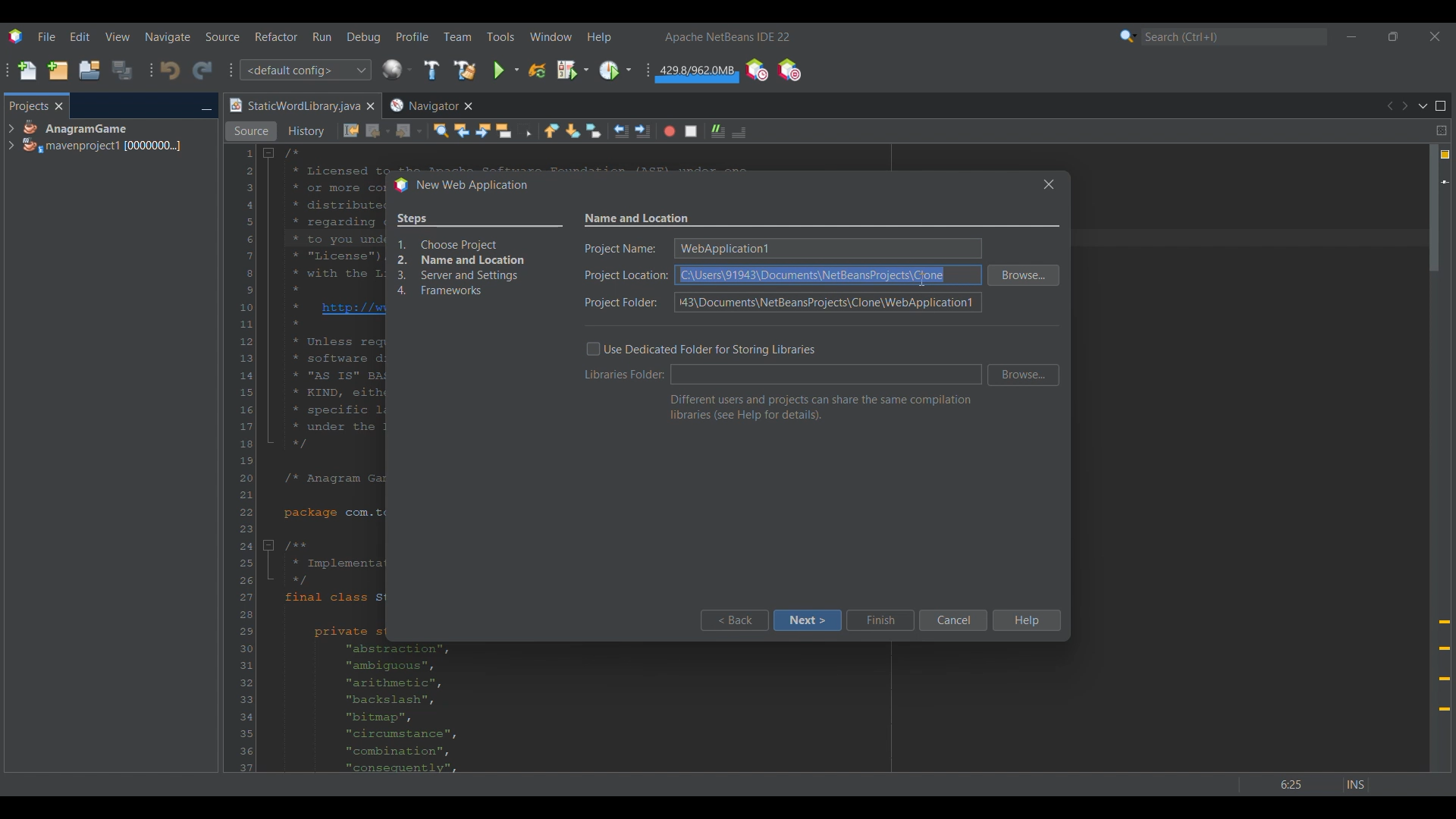  What do you see at coordinates (11, 137) in the screenshot?
I see `Expand` at bounding box center [11, 137].